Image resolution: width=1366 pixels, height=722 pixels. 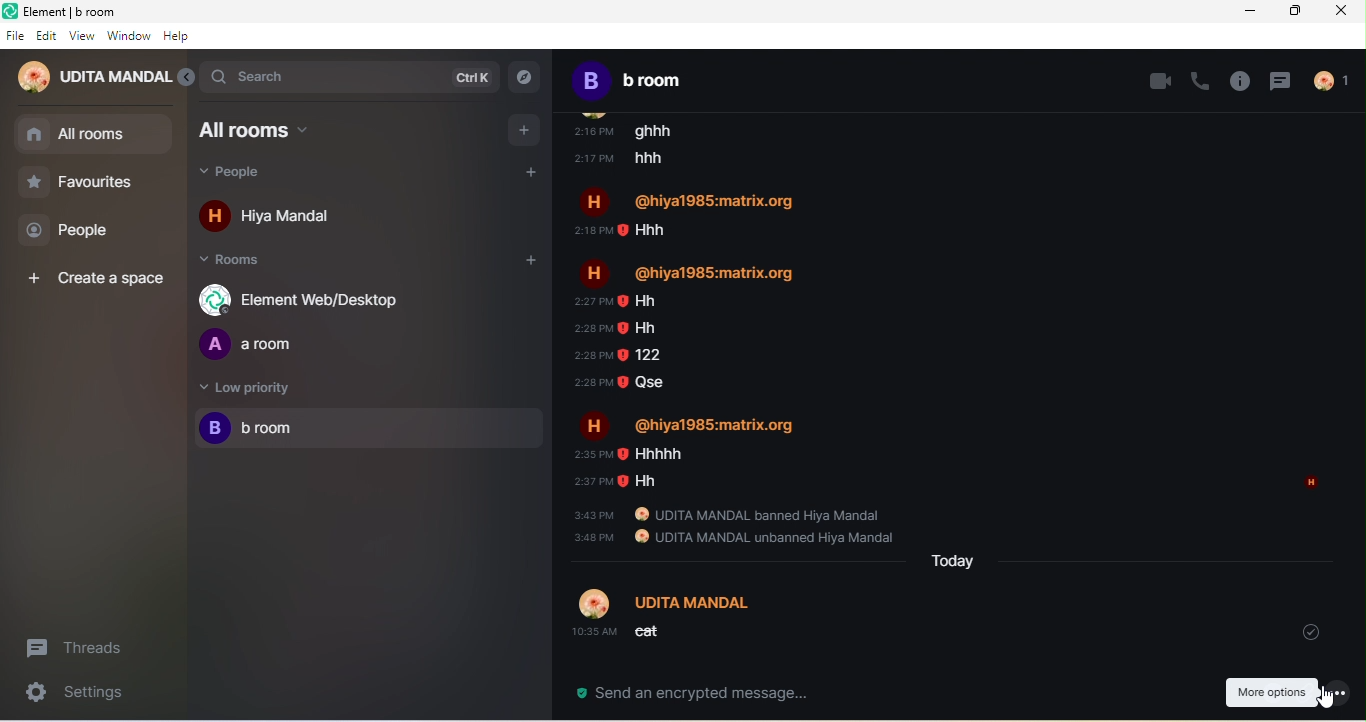 What do you see at coordinates (1338, 81) in the screenshot?
I see `people` at bounding box center [1338, 81].